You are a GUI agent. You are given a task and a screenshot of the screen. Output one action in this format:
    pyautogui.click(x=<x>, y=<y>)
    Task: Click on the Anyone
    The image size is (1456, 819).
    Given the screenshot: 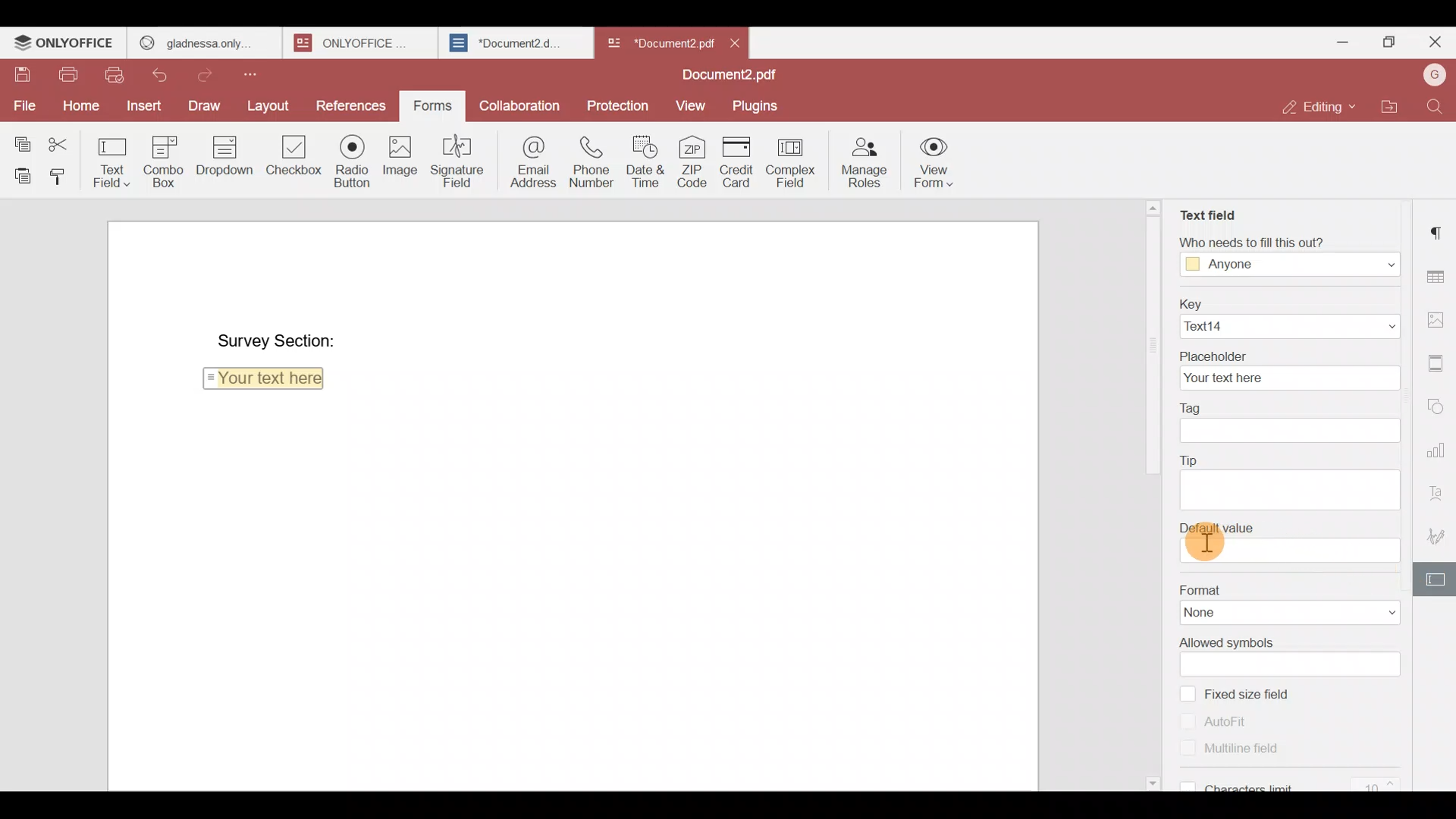 What is the action you would take?
    pyautogui.click(x=1289, y=265)
    